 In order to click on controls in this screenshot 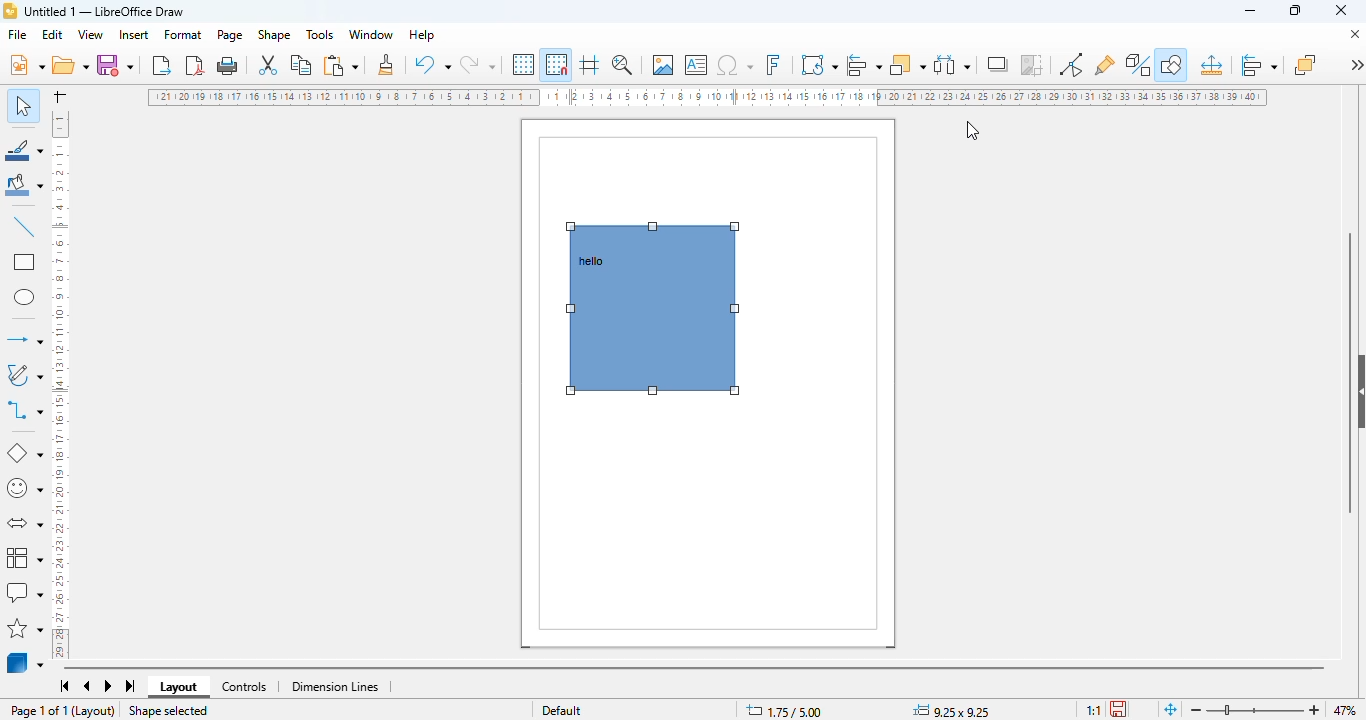, I will do `click(244, 687)`.